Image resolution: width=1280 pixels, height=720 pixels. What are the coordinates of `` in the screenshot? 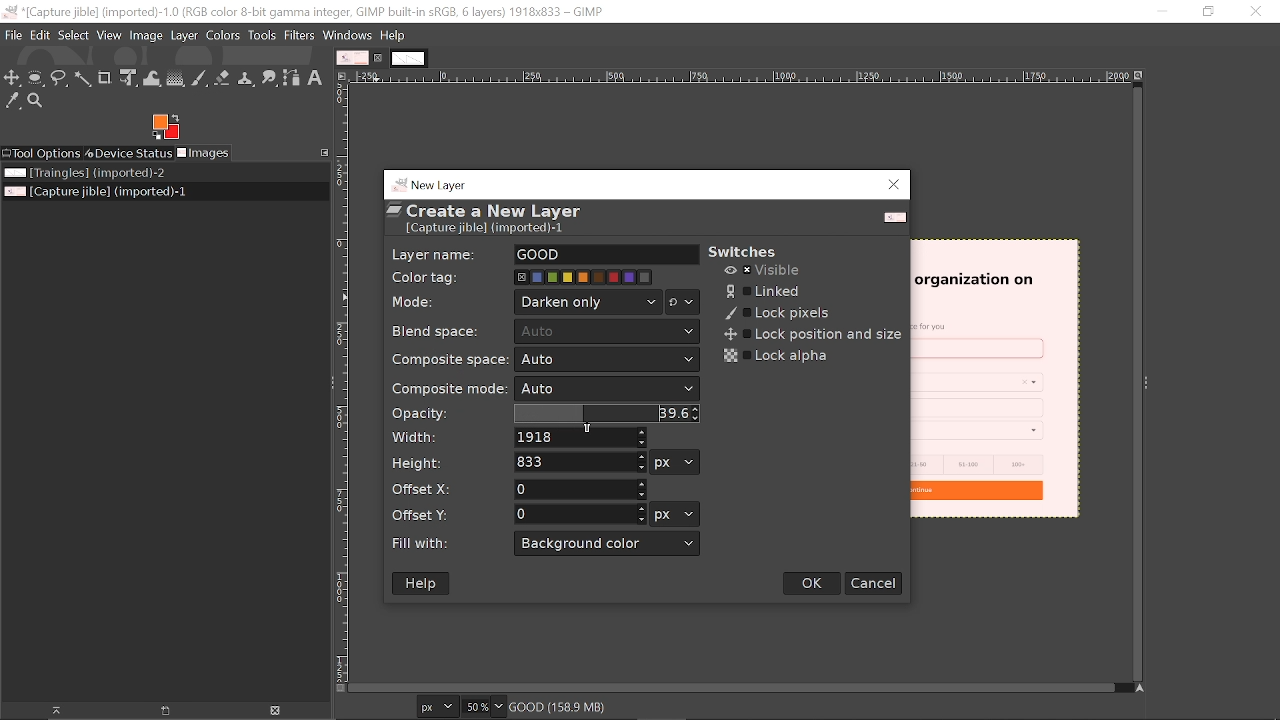 It's located at (393, 35).